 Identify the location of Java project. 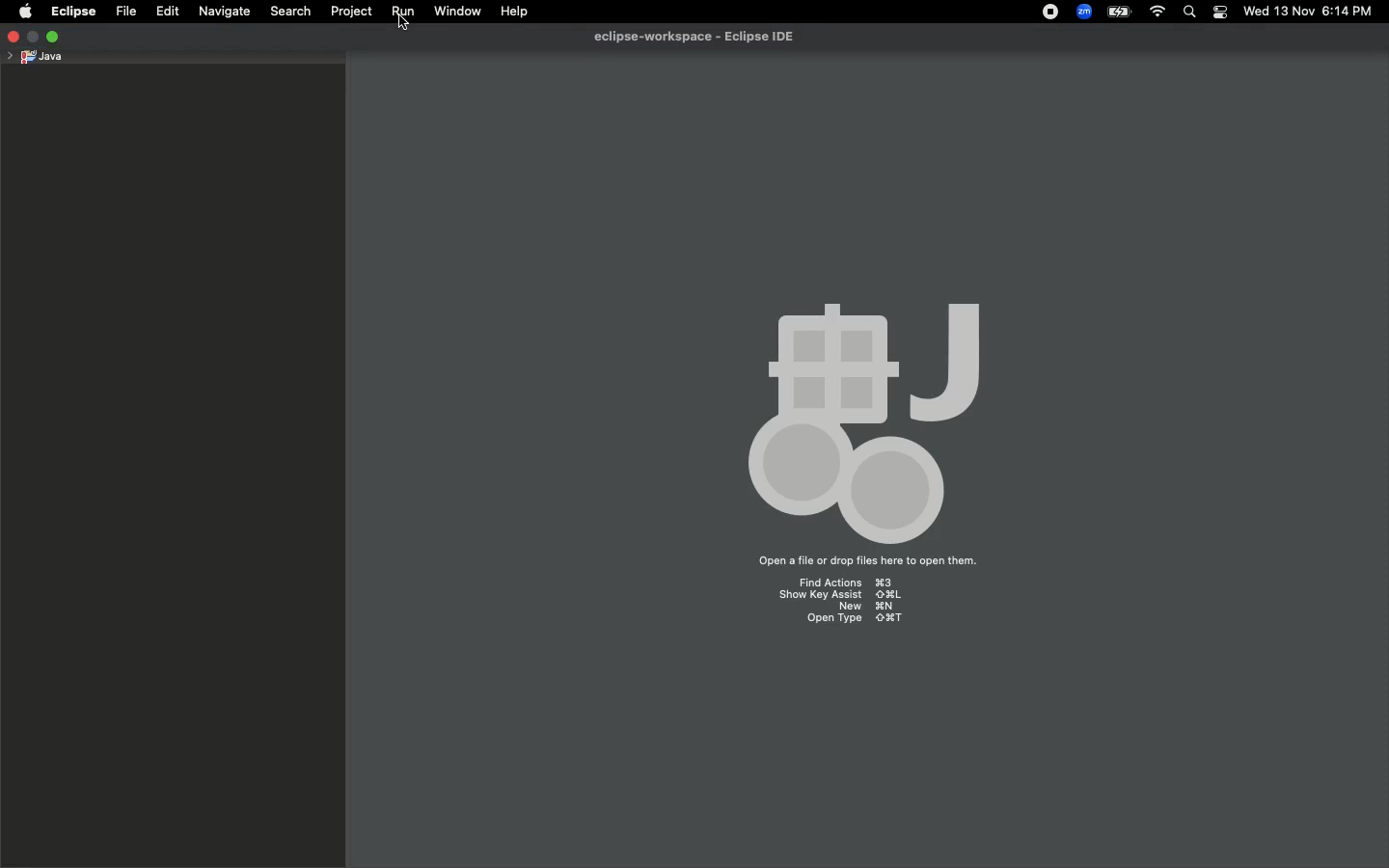
(34, 58).